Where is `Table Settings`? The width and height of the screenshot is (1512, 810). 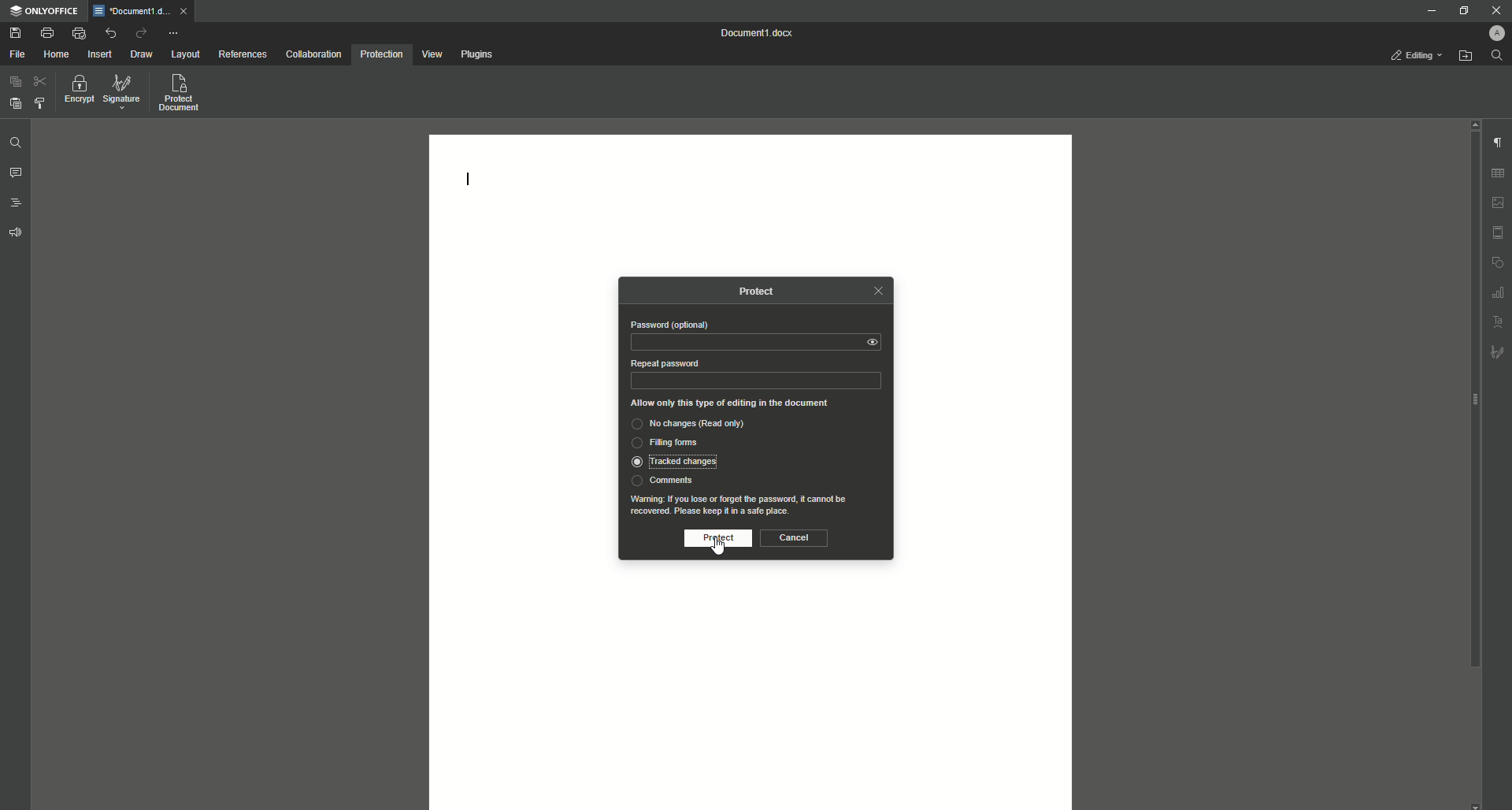 Table Settings is located at coordinates (1499, 173).